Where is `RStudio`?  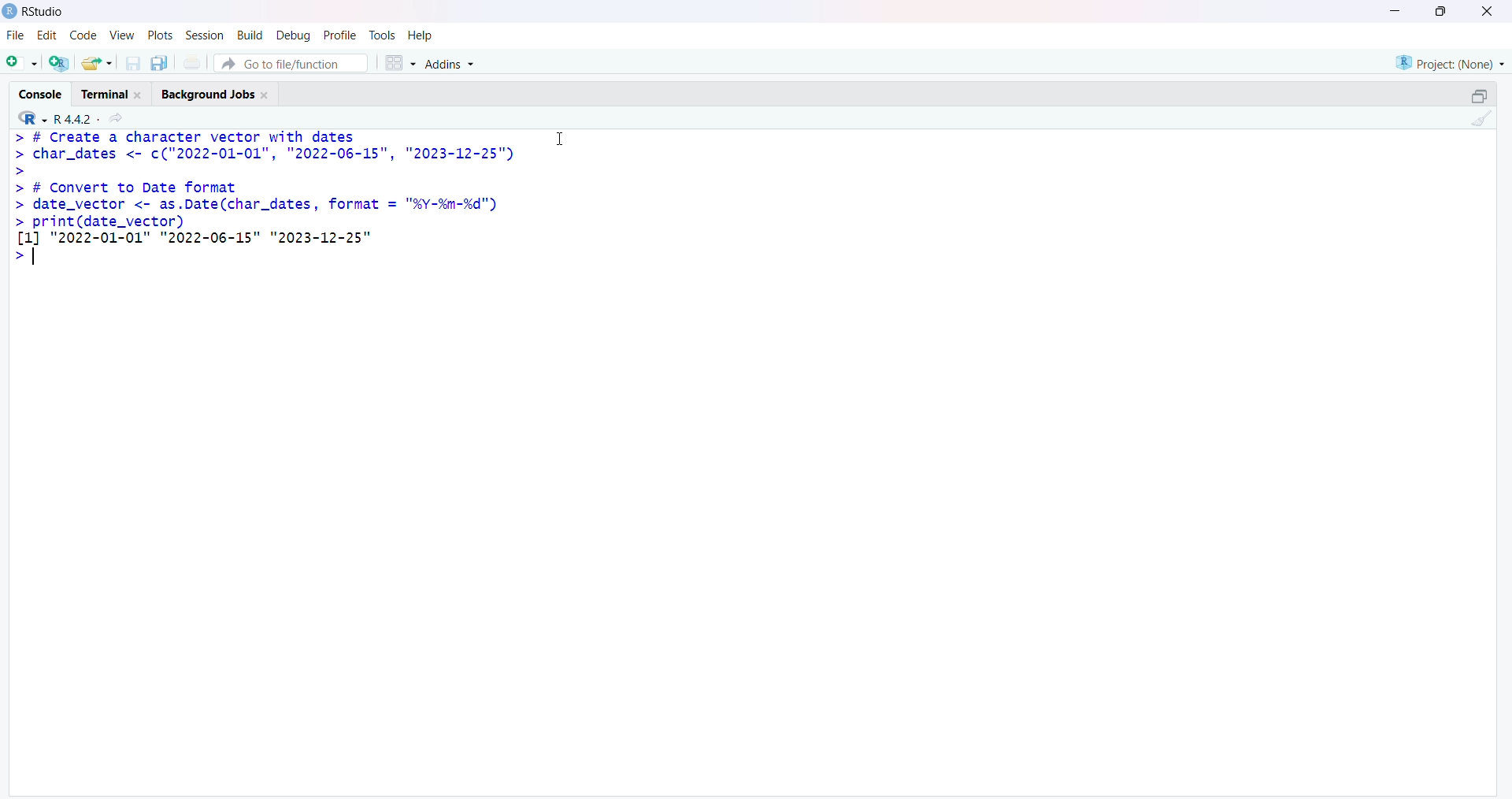 RStudio is located at coordinates (34, 15).